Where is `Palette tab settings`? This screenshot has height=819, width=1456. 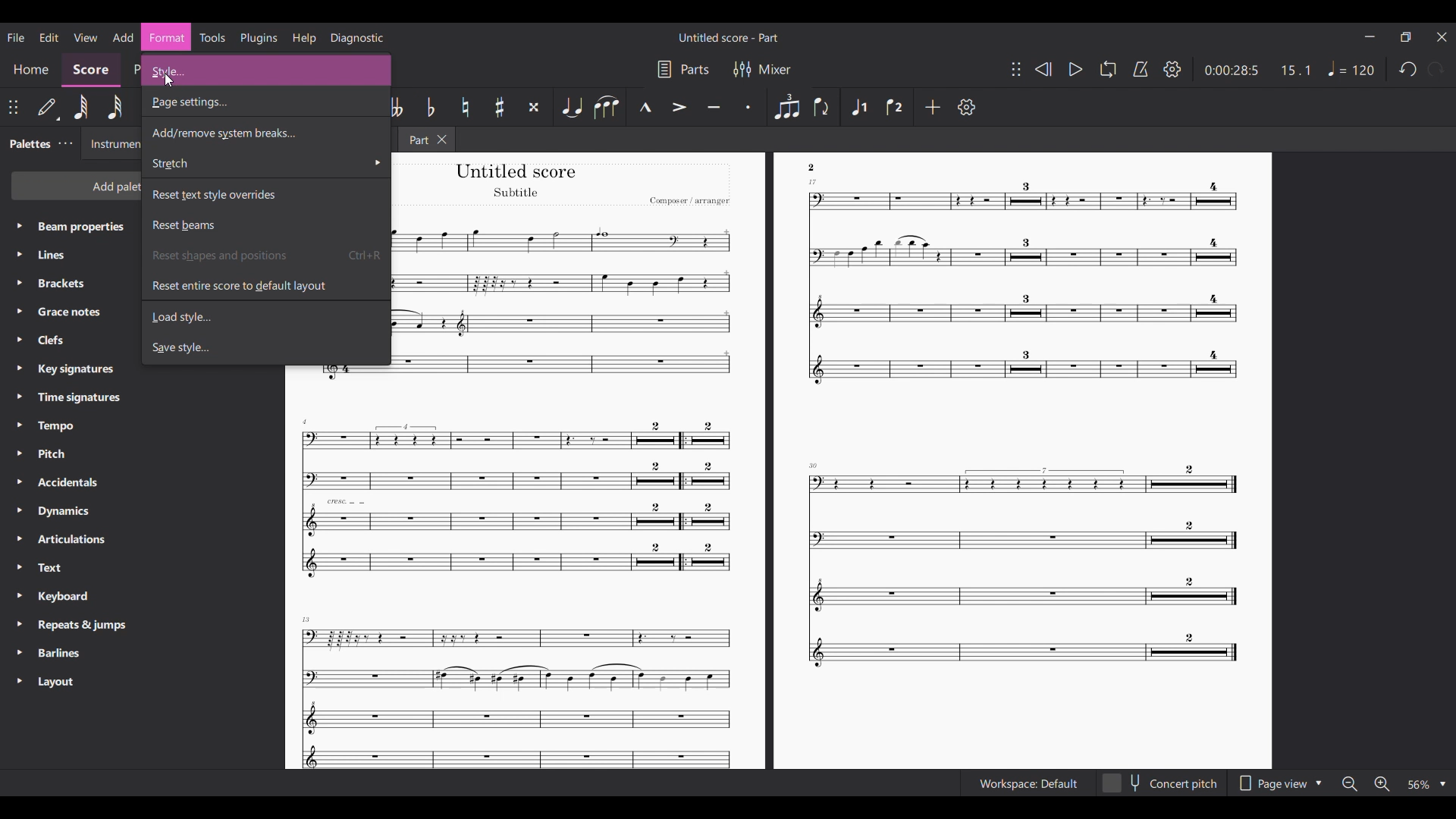 Palette tab settings is located at coordinates (65, 143).